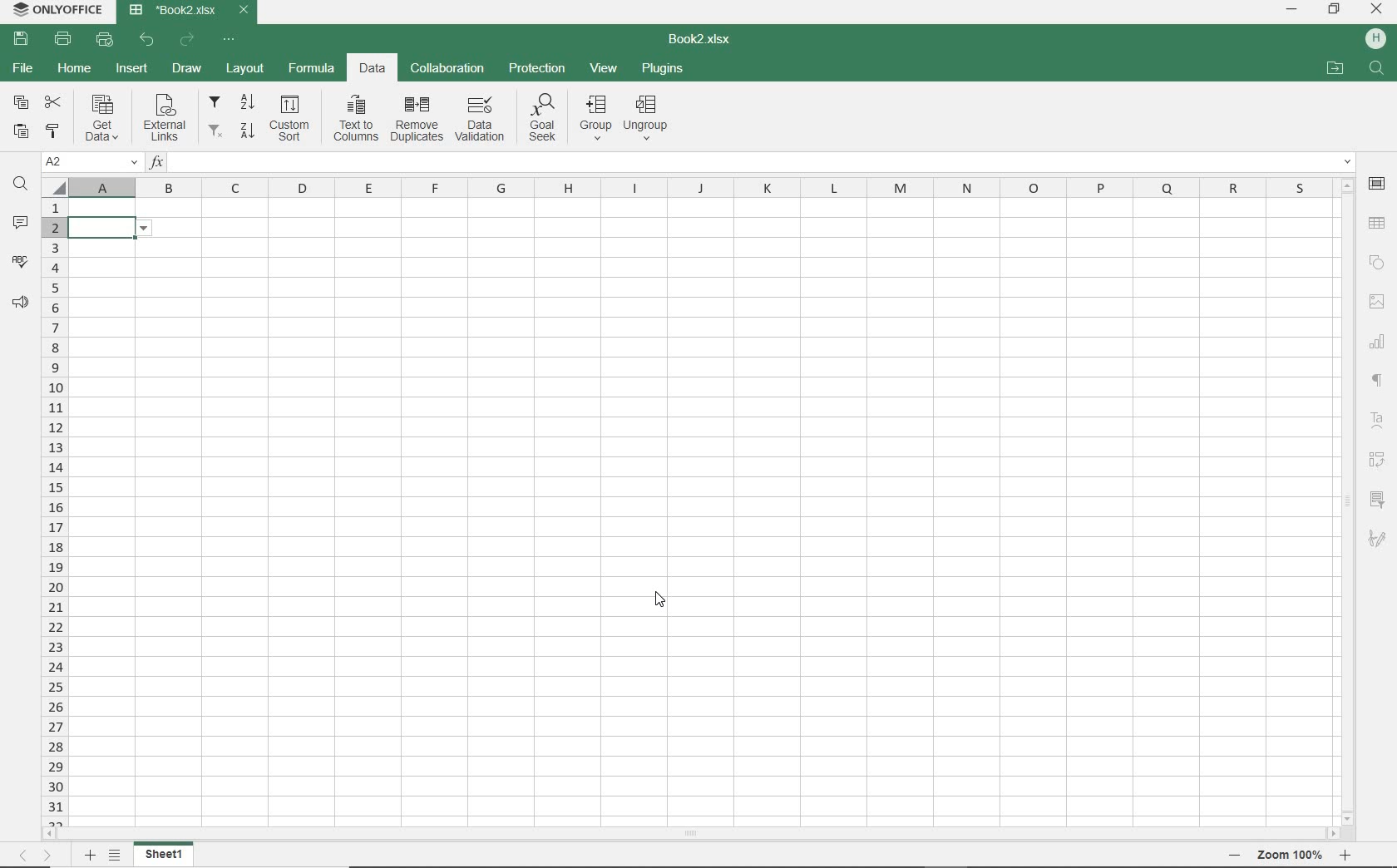  Describe the element at coordinates (19, 38) in the screenshot. I see `SAVE` at that location.